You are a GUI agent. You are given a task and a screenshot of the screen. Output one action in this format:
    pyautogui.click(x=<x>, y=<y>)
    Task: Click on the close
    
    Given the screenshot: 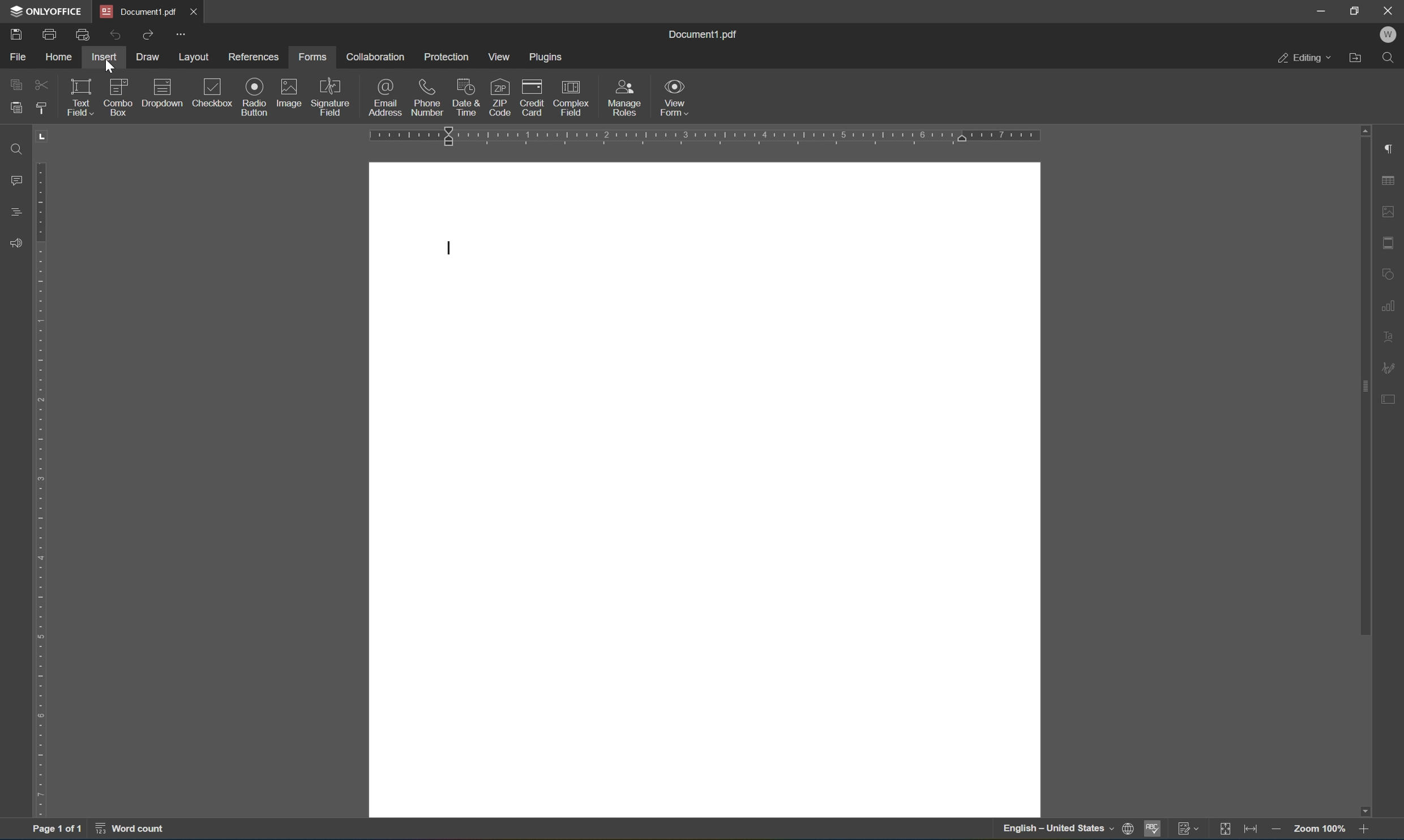 What is the action you would take?
    pyautogui.click(x=203, y=14)
    